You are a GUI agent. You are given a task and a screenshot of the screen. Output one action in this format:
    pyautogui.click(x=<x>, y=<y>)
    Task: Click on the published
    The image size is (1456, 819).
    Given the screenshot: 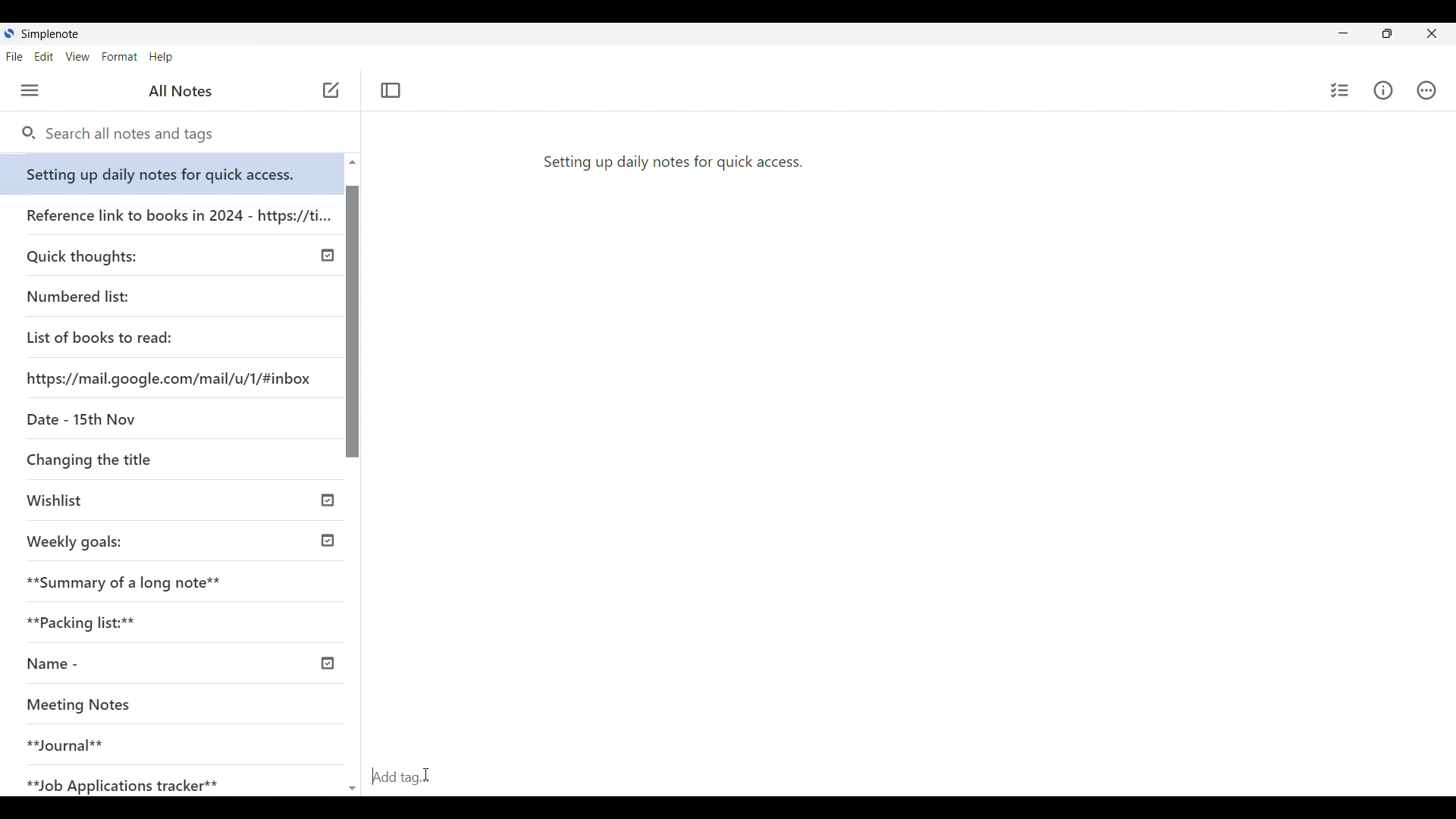 What is the action you would take?
    pyautogui.click(x=328, y=256)
    